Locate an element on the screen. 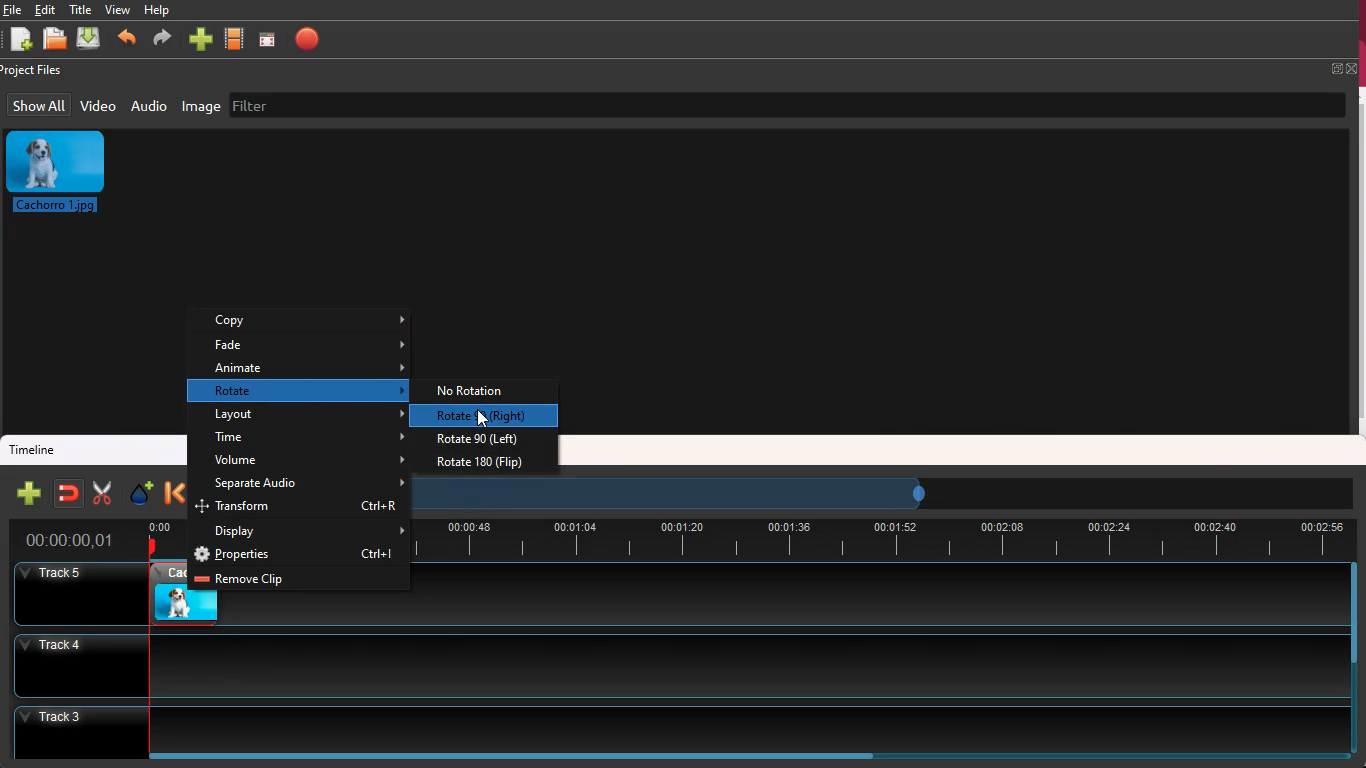 The width and height of the screenshot is (1366, 768). remove clip is located at coordinates (297, 580).